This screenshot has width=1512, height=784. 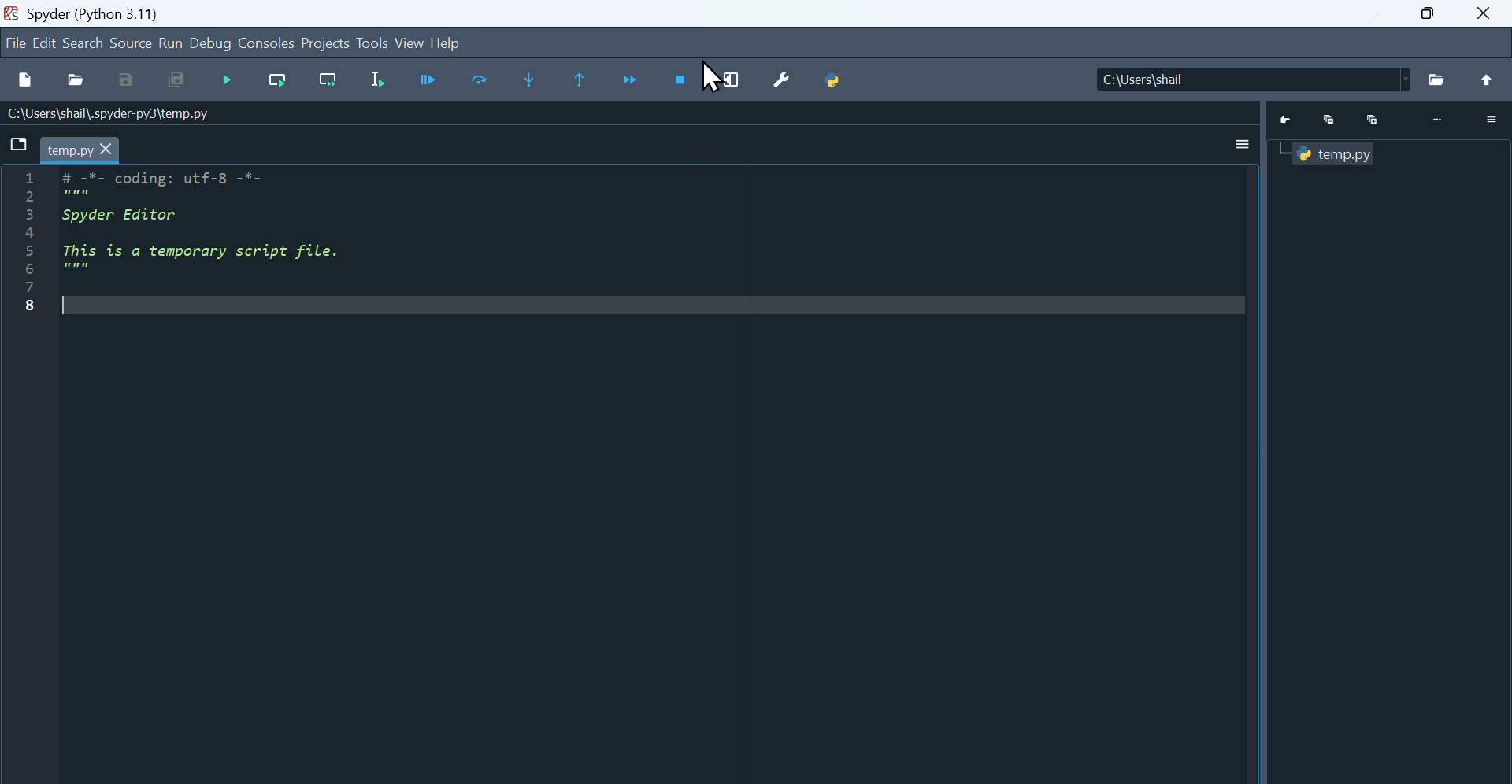 What do you see at coordinates (45, 42) in the screenshot?
I see `` at bounding box center [45, 42].